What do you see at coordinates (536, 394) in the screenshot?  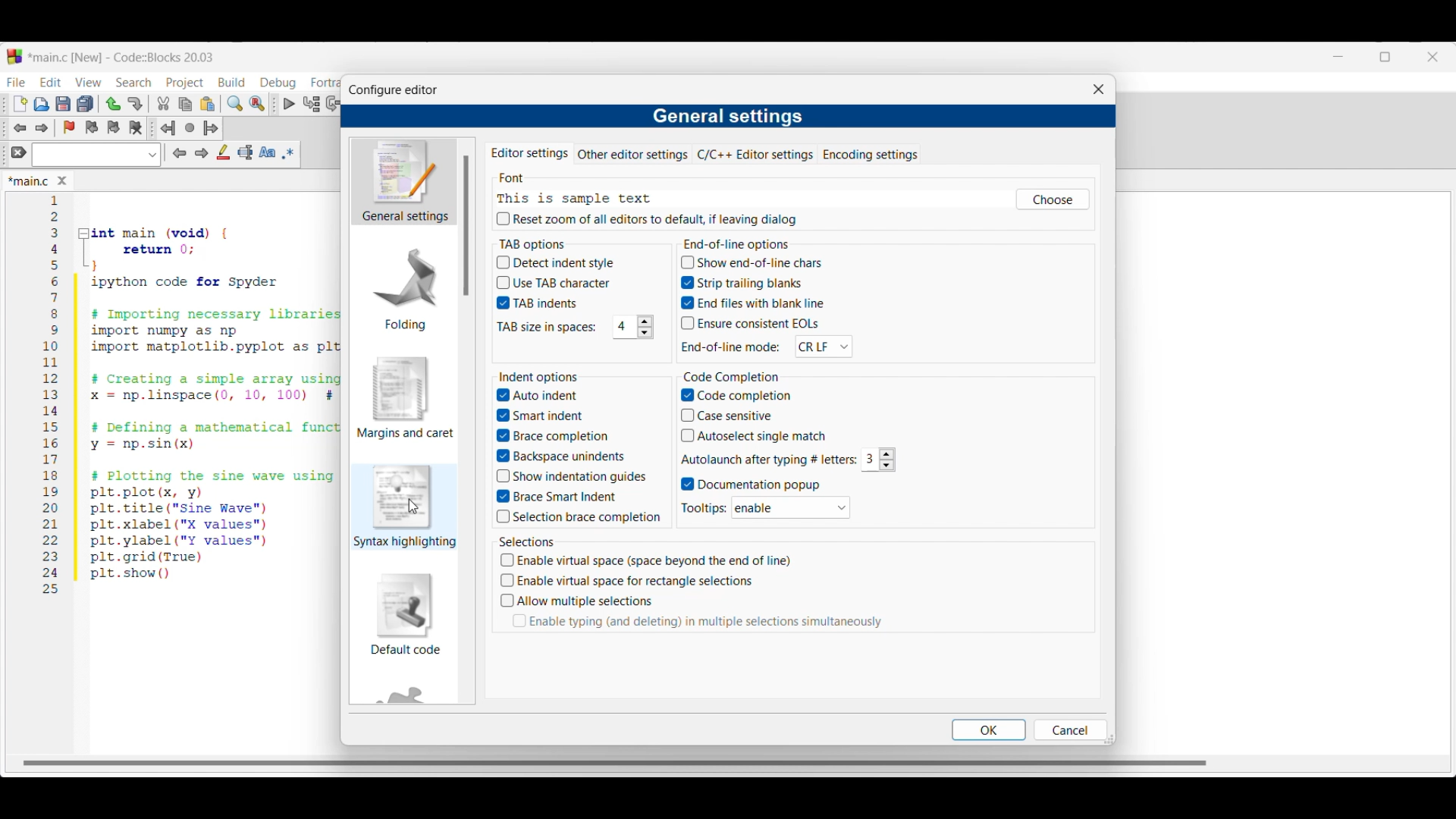 I see `Auto indent` at bounding box center [536, 394].